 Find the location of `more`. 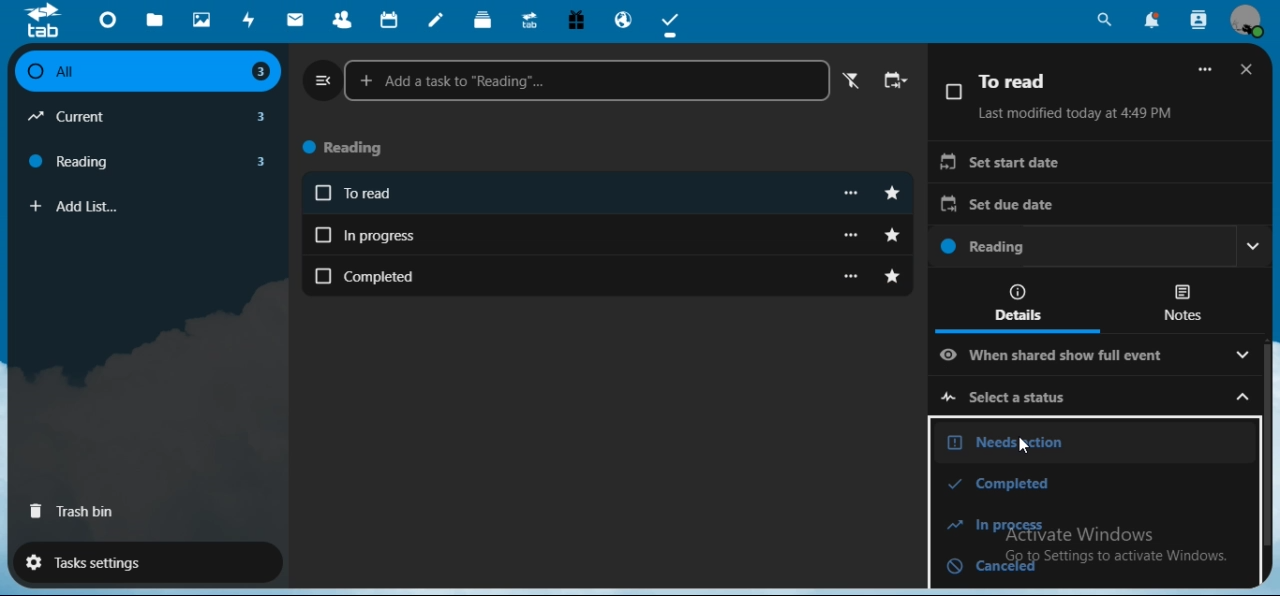

more is located at coordinates (854, 193).